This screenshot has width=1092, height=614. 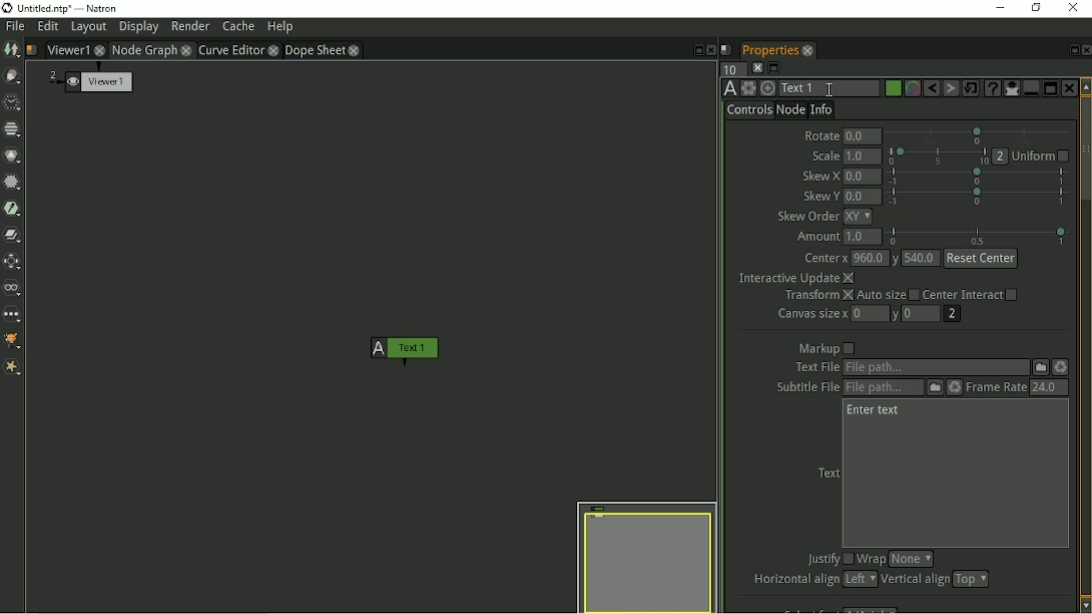 What do you see at coordinates (871, 558) in the screenshot?
I see `Wrap` at bounding box center [871, 558].